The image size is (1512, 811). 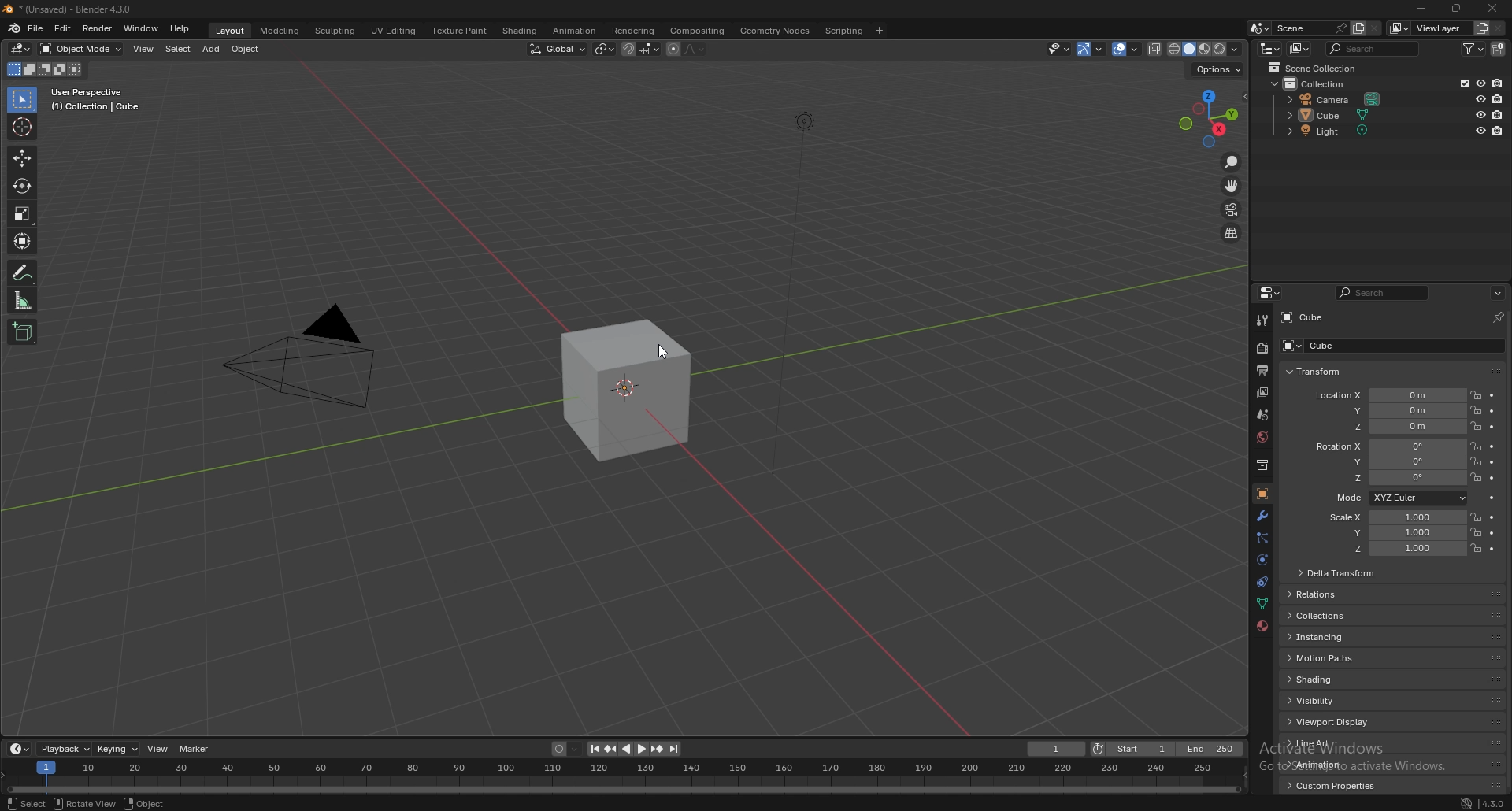 What do you see at coordinates (146, 804) in the screenshot?
I see `object` at bounding box center [146, 804].